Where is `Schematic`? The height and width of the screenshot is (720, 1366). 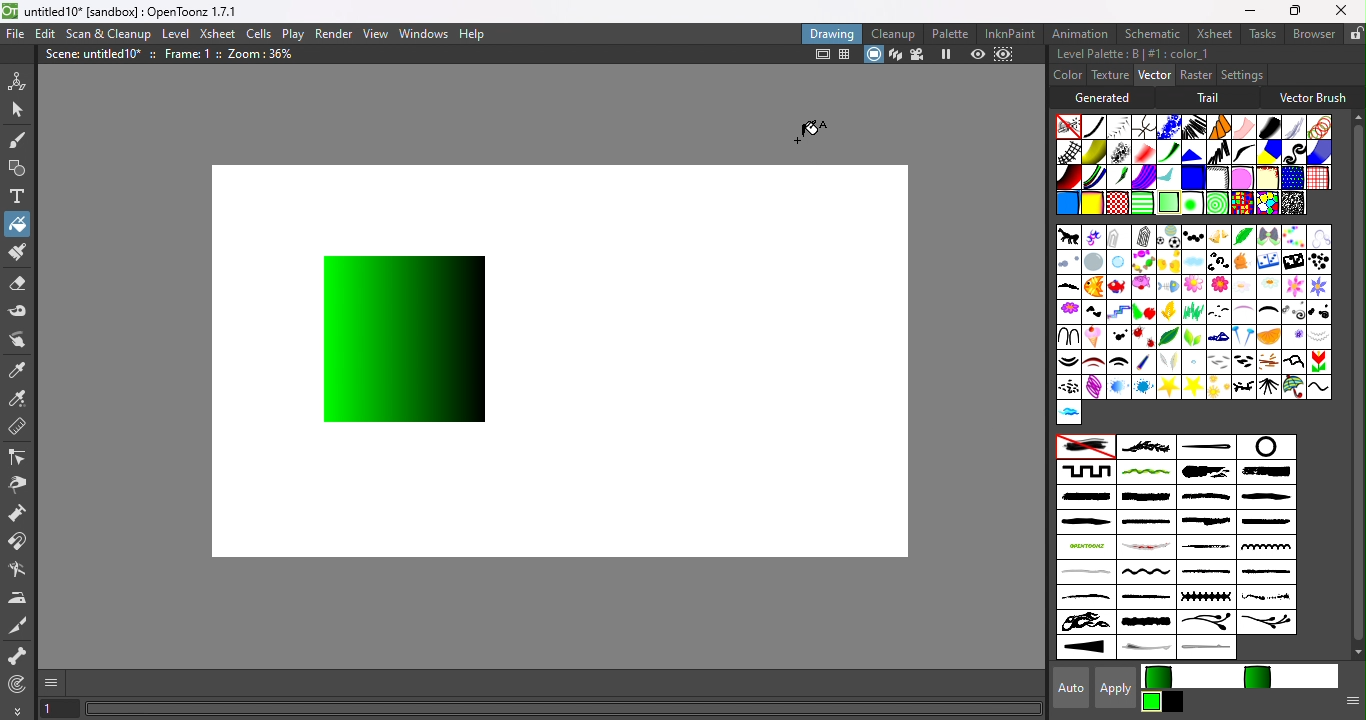
Schematic is located at coordinates (1151, 34).